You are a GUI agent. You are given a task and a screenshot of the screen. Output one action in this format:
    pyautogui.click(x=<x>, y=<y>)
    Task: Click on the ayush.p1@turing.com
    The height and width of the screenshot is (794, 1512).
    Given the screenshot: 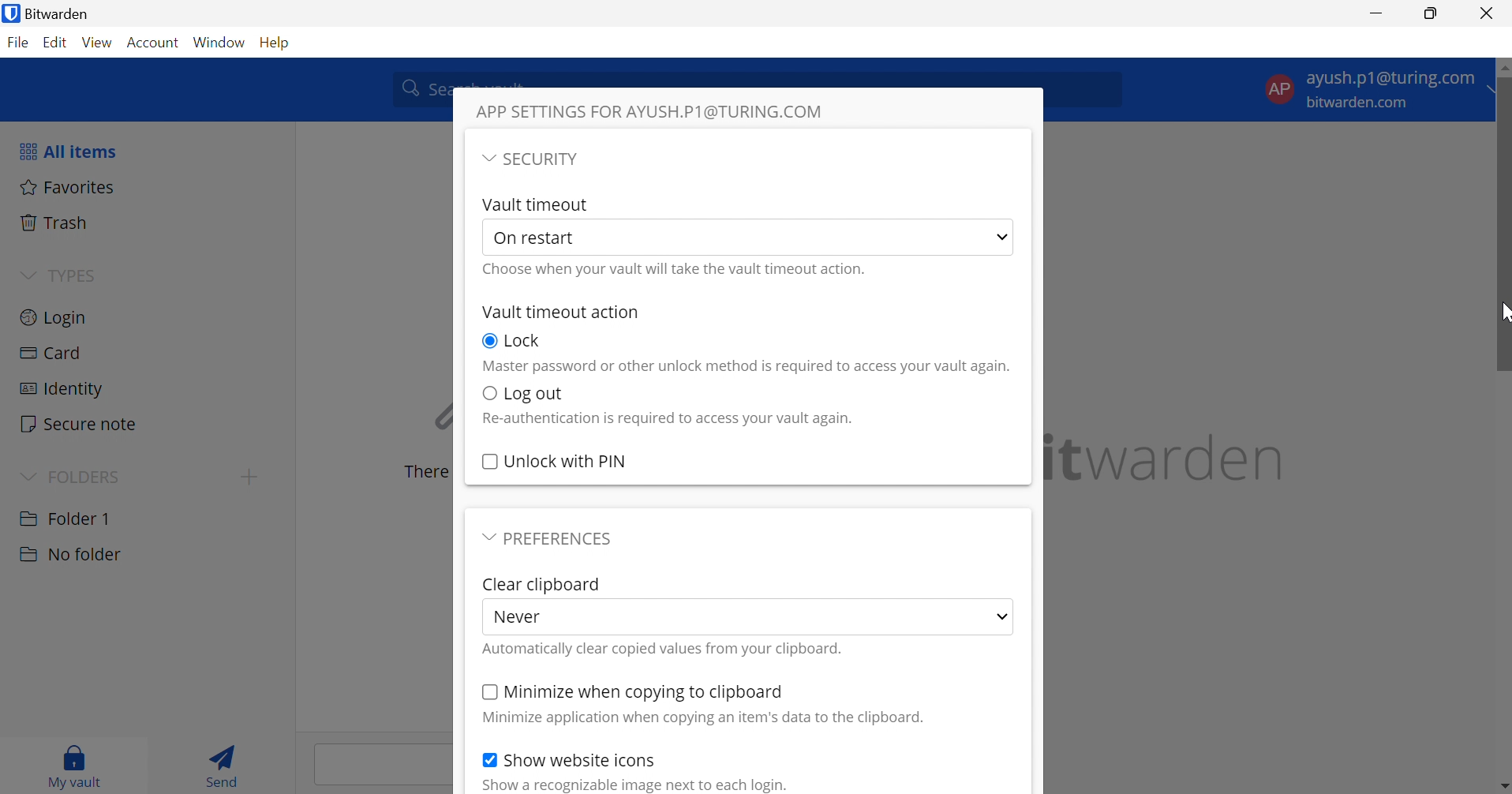 What is the action you would take?
    pyautogui.click(x=1390, y=81)
    